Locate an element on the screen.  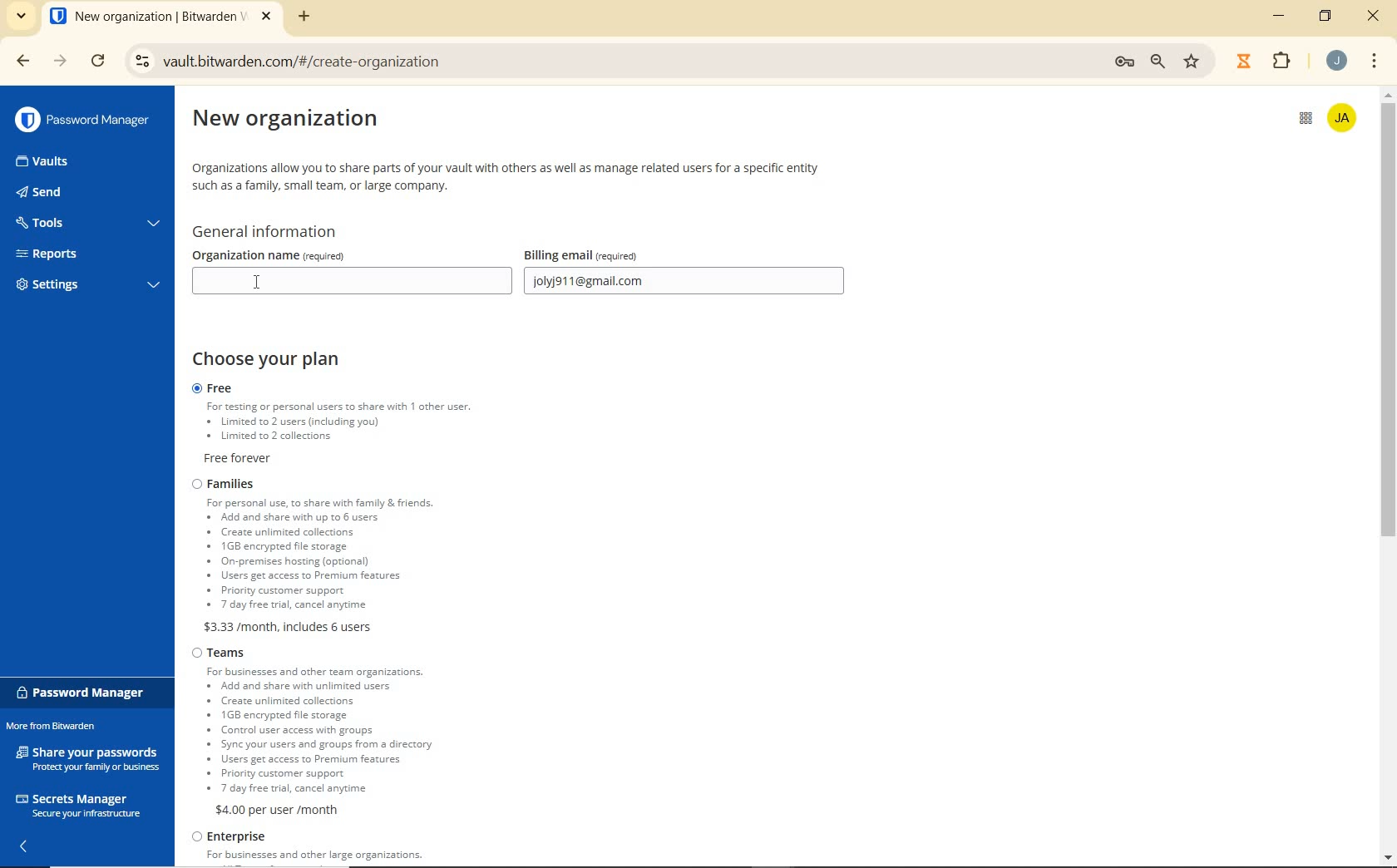
organization name is located at coordinates (317, 254).